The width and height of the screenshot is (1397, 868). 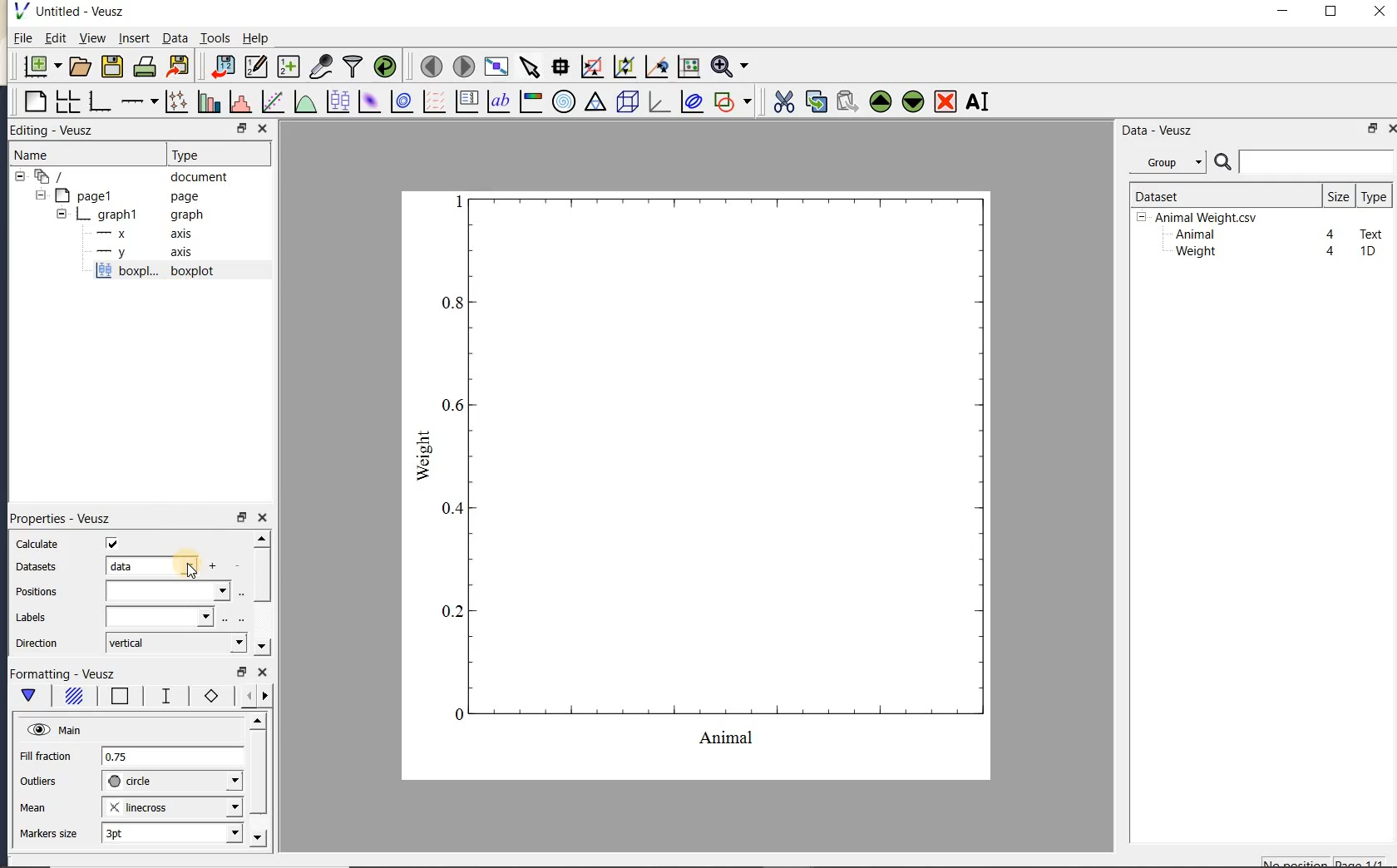 I want to click on minor ticks, so click(x=251, y=696).